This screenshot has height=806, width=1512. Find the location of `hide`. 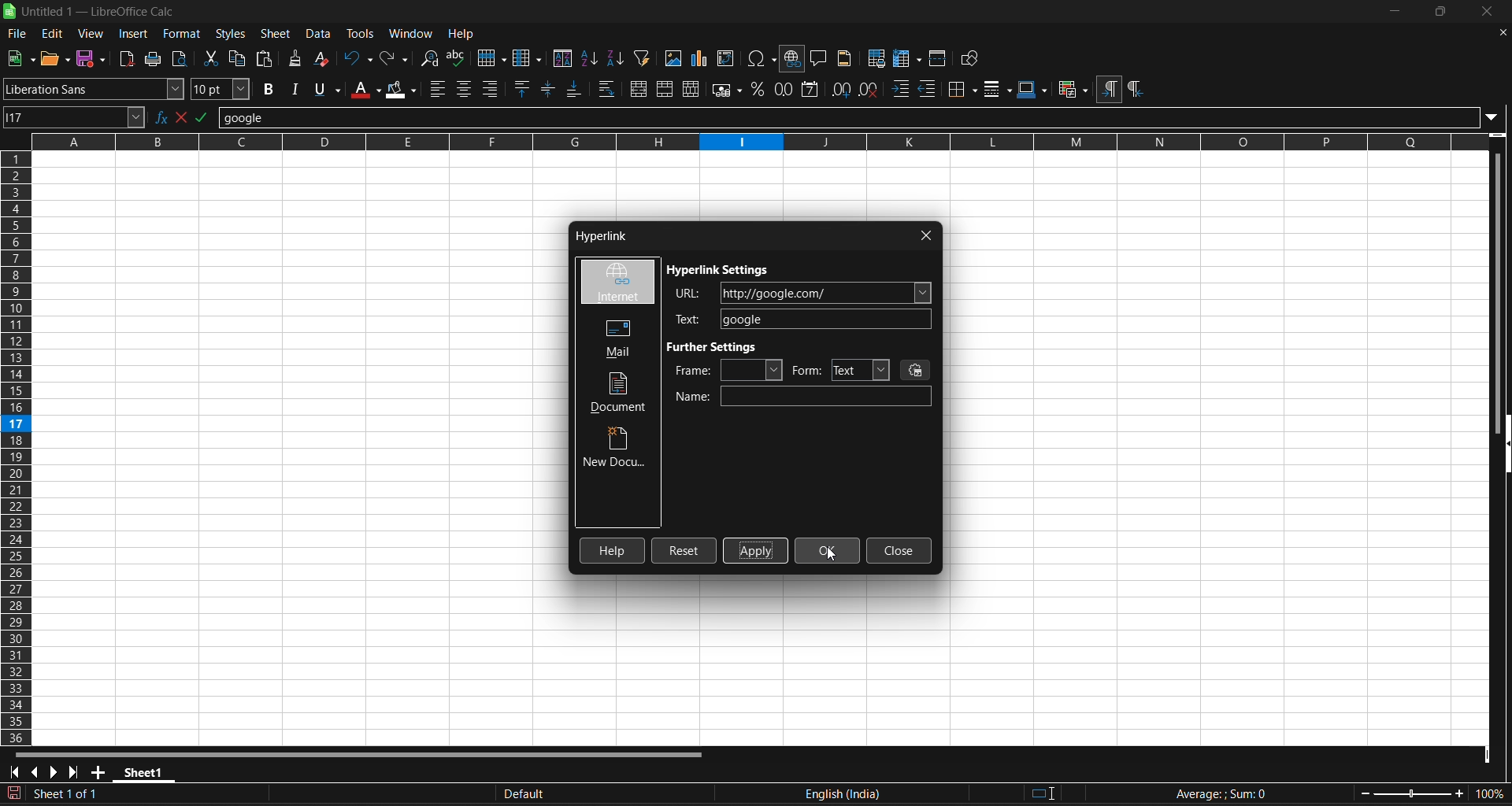

hide is located at coordinates (1503, 446).